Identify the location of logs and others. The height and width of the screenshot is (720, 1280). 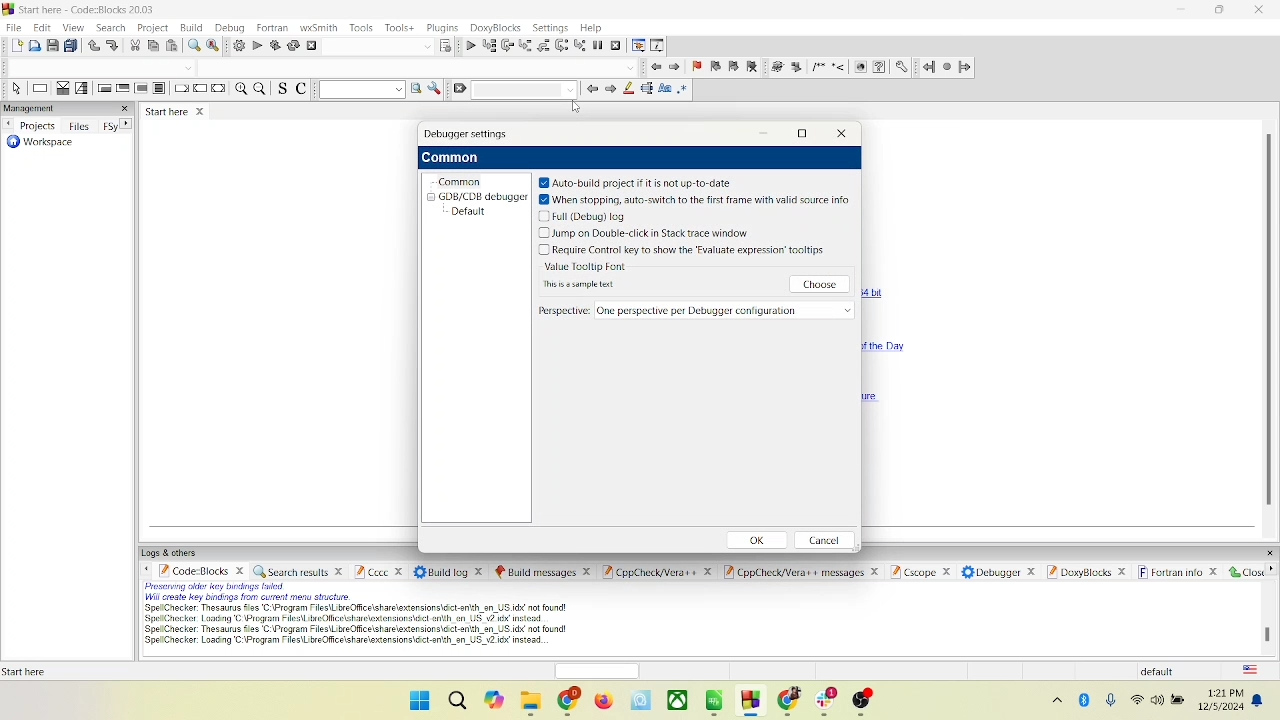
(166, 553).